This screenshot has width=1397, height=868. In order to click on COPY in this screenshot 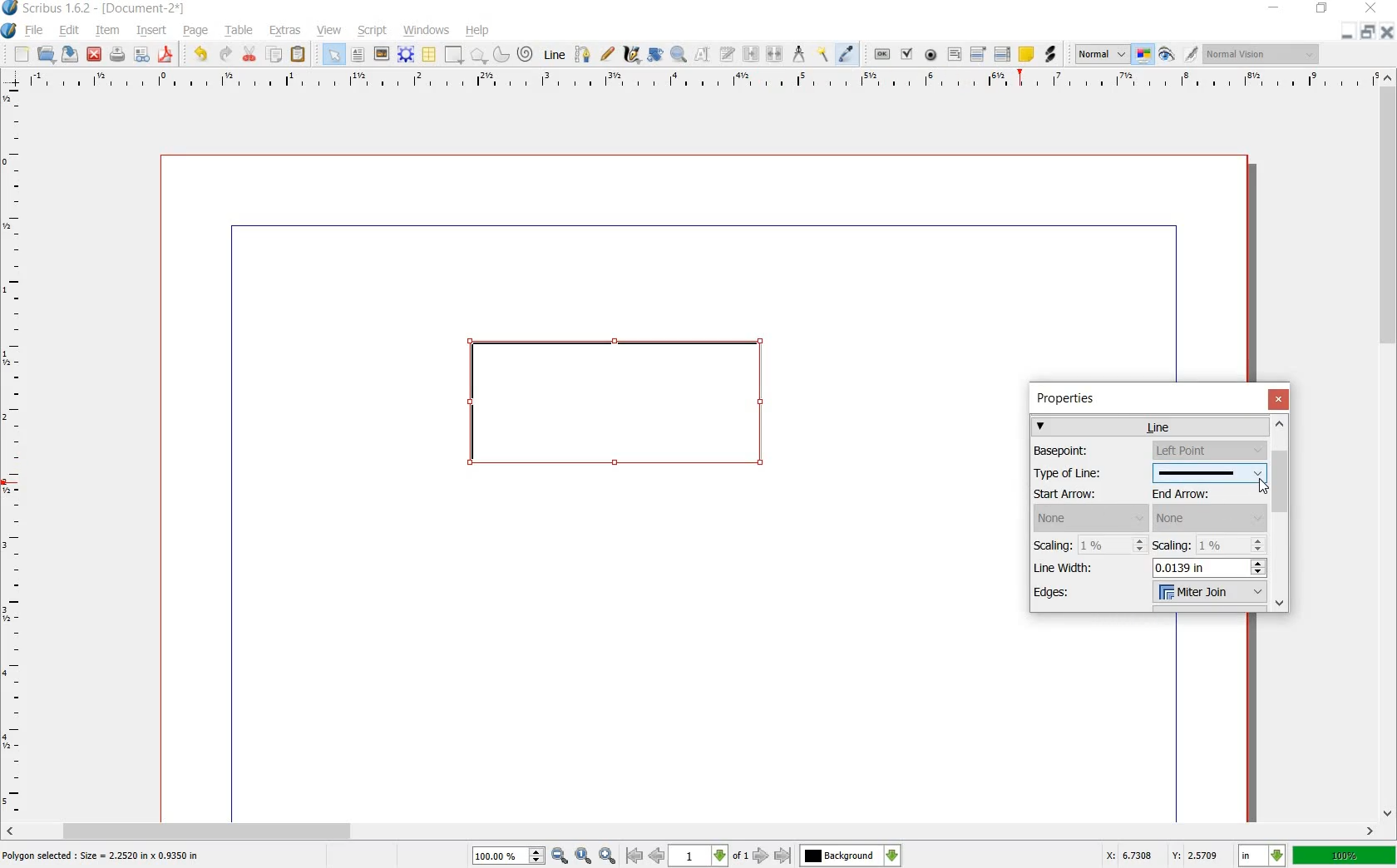, I will do `click(276, 55)`.